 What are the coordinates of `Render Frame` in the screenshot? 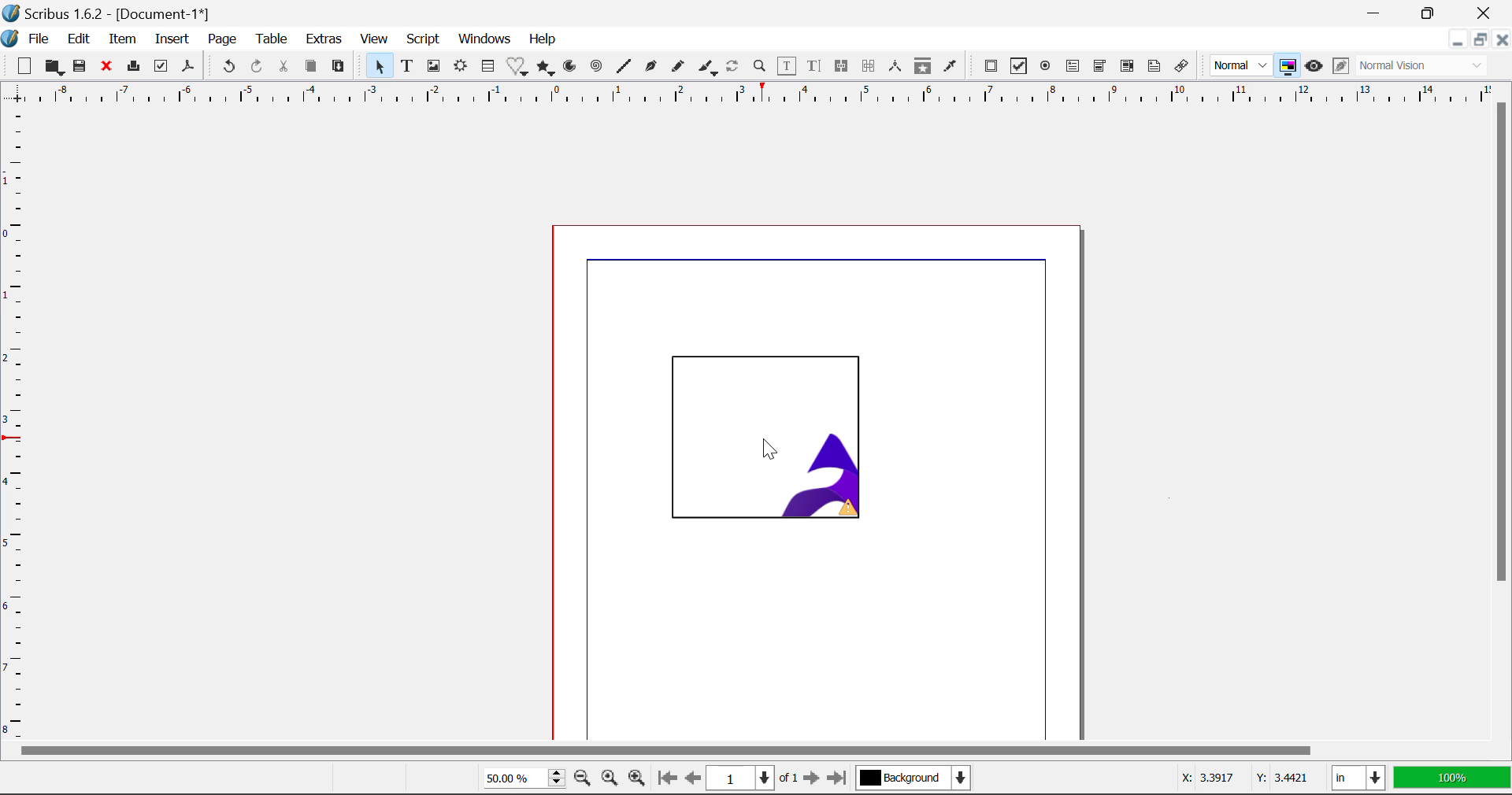 It's located at (463, 68).